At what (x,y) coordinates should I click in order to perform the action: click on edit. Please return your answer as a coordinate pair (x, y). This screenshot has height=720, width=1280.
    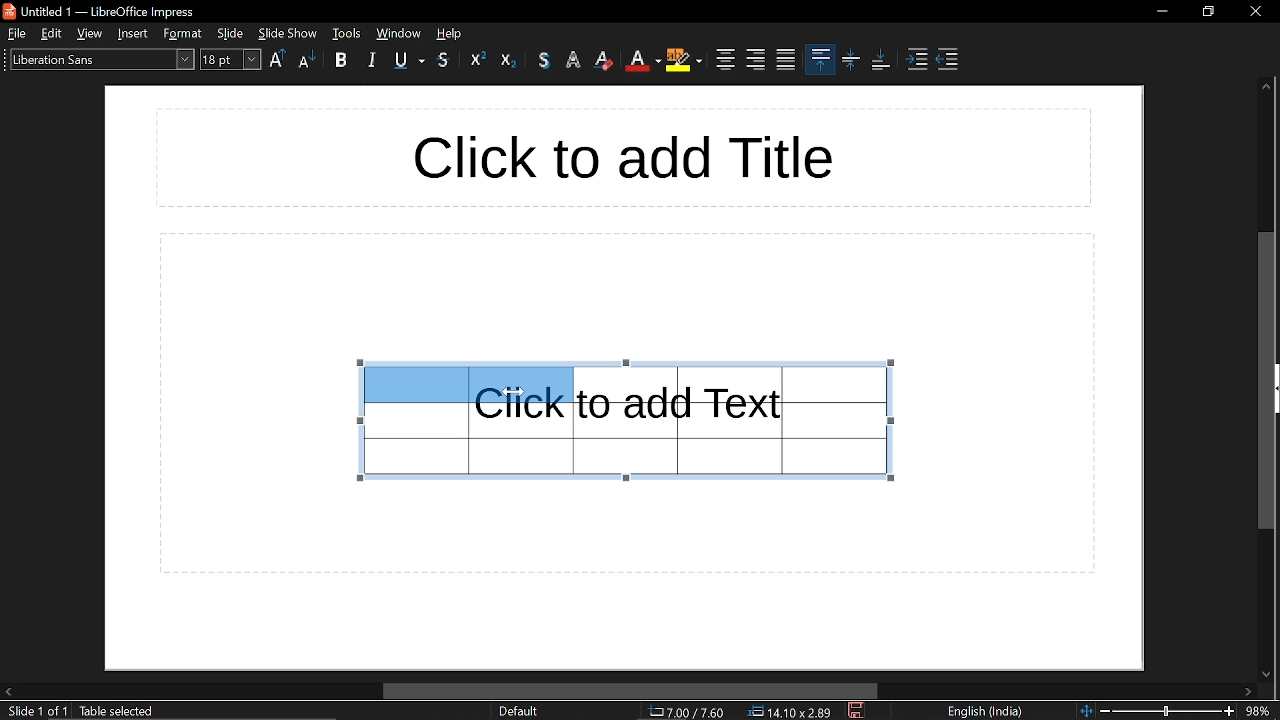
    Looking at the image, I should click on (52, 33).